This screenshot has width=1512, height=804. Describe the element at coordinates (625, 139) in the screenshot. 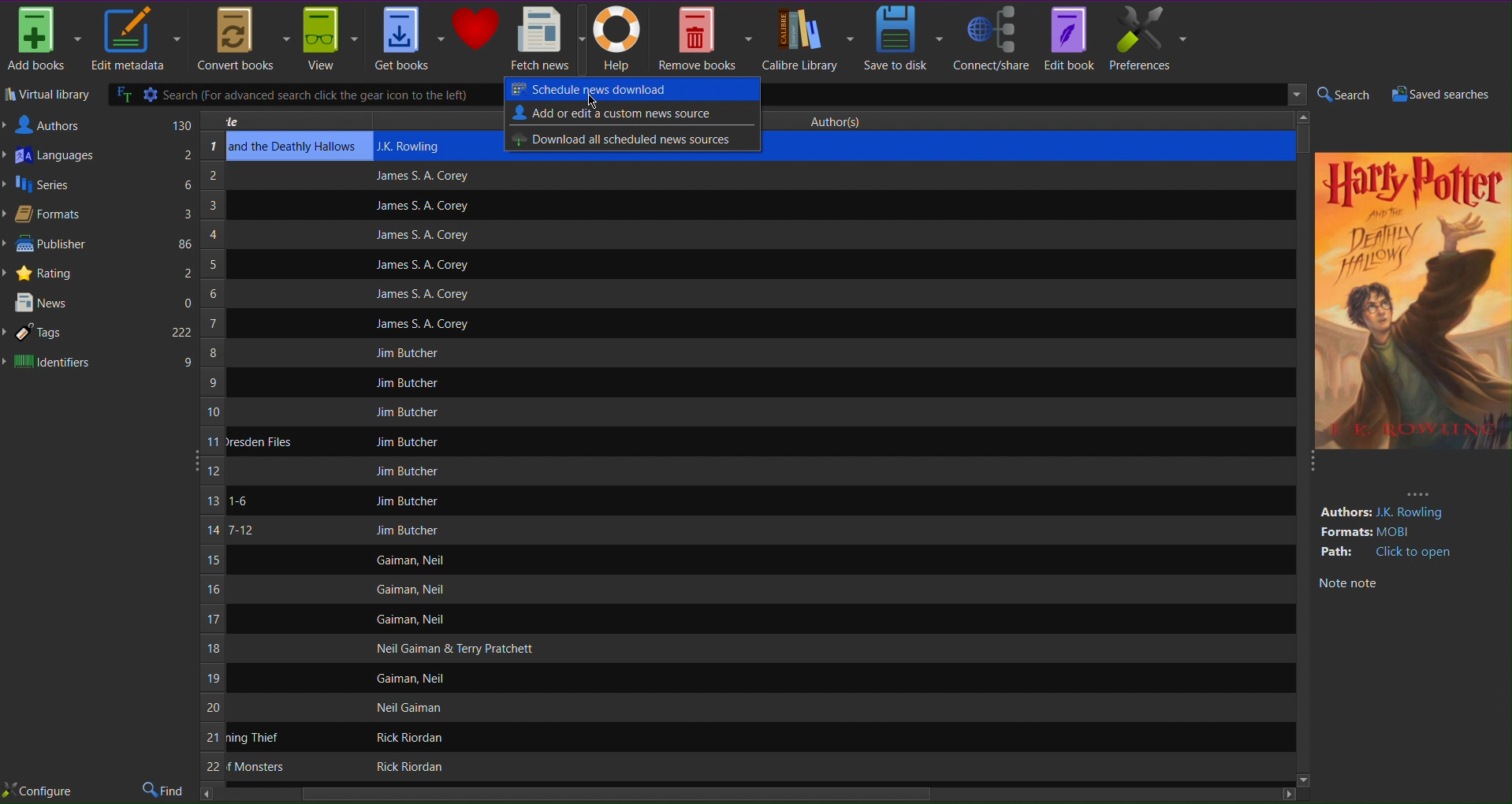

I see `Download all scheduled news sources` at that location.